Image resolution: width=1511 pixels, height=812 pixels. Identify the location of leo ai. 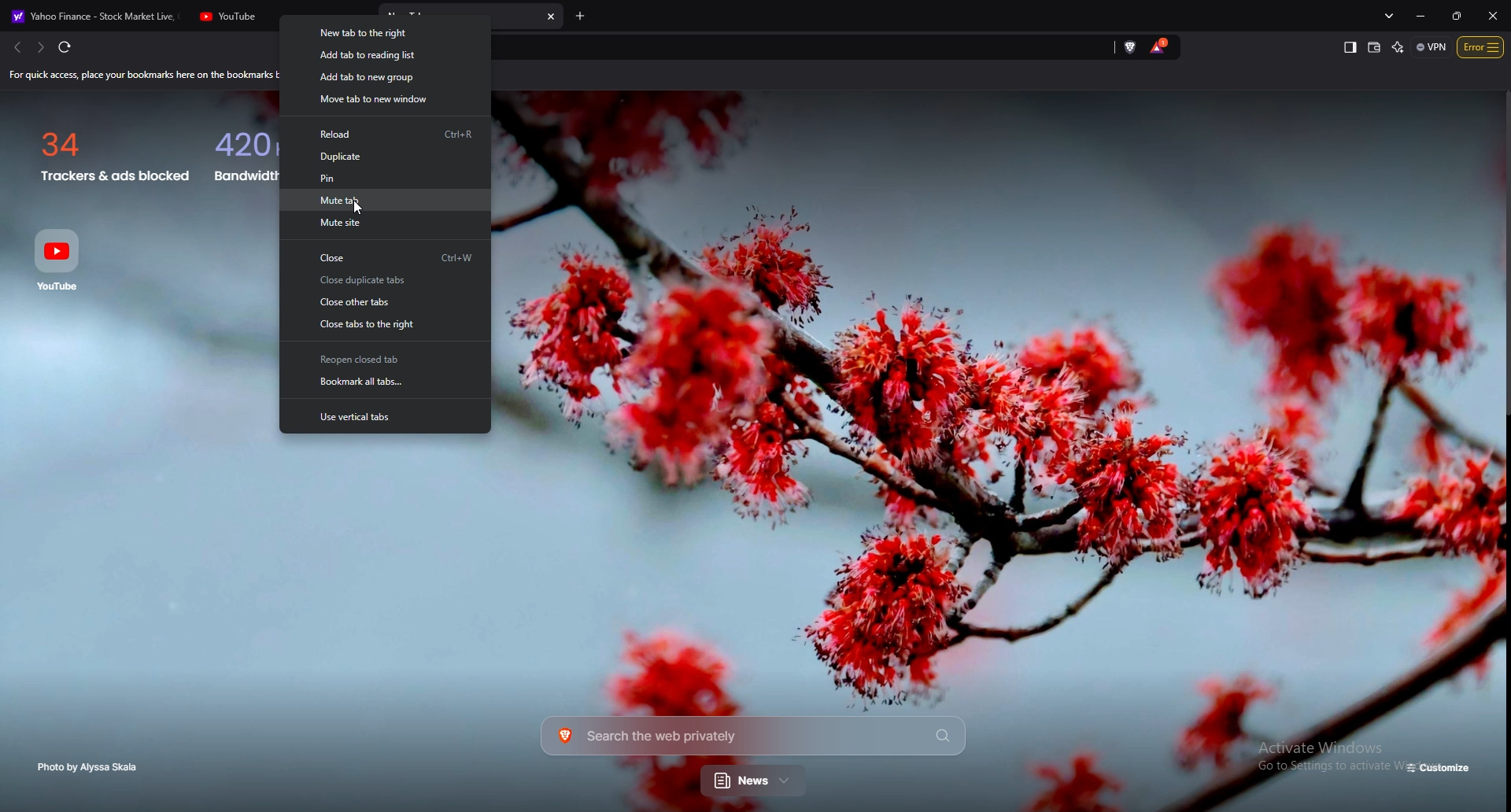
(1398, 47).